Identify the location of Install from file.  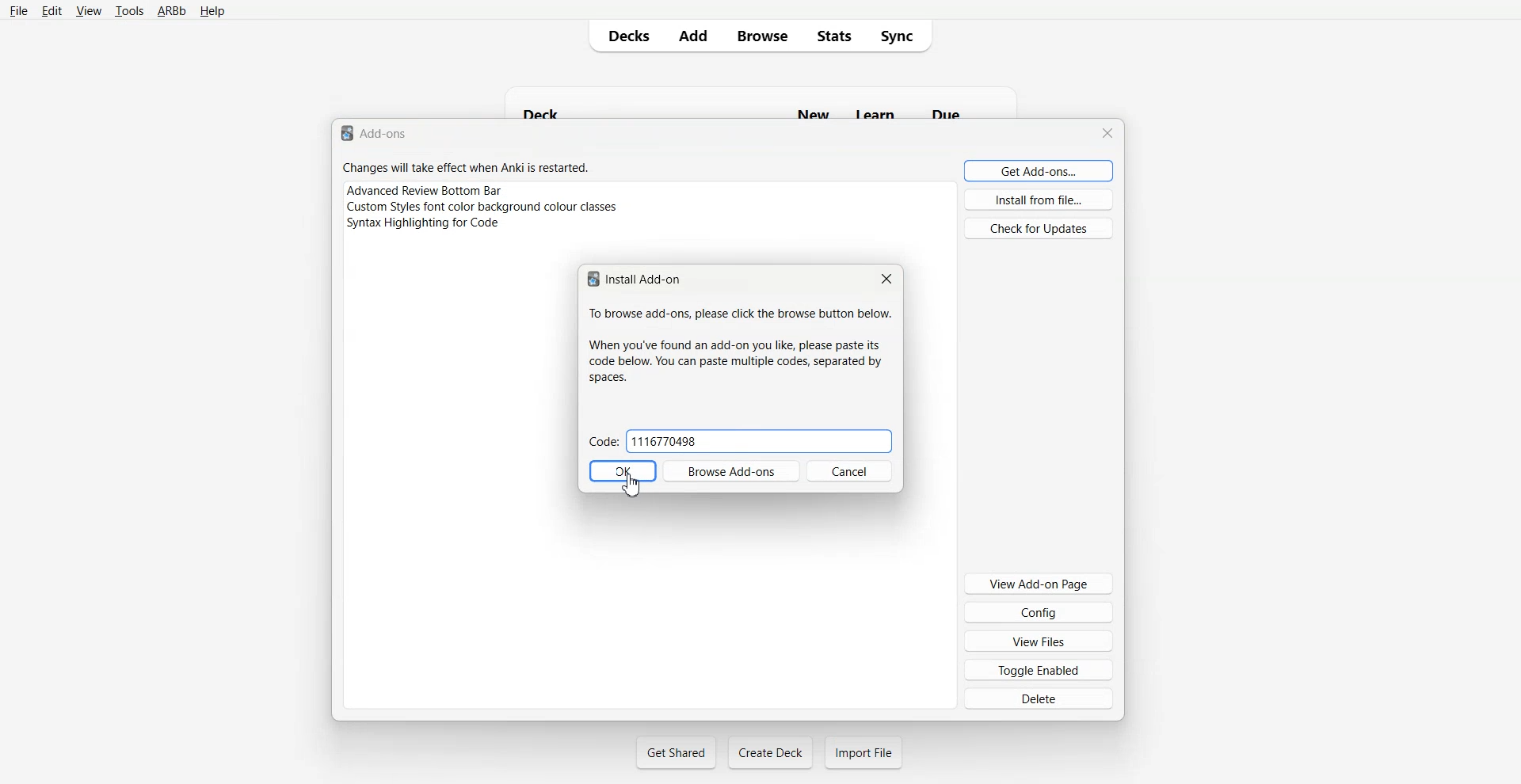
(1039, 200).